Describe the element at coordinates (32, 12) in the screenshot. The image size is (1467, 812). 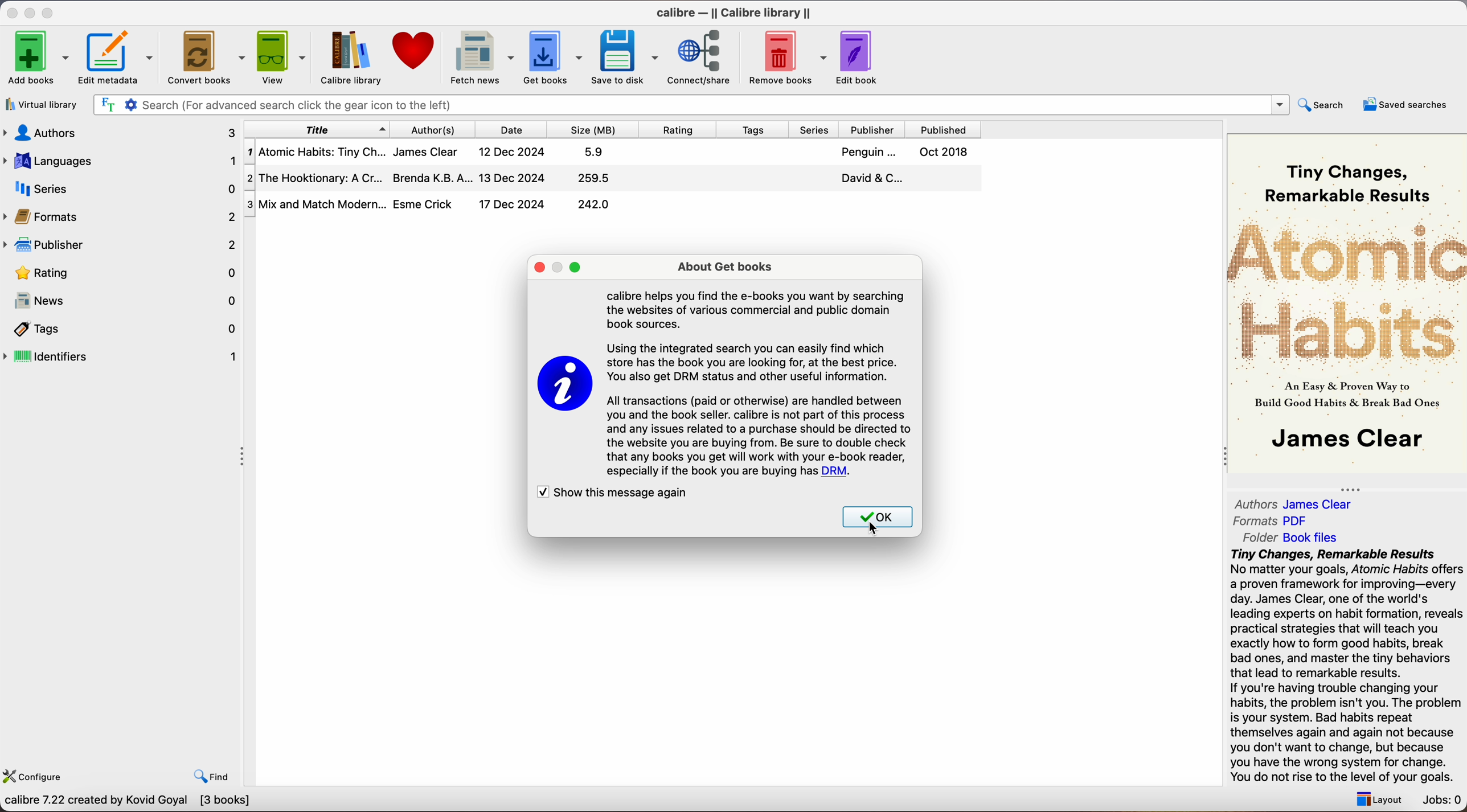
I see `minimize` at that location.